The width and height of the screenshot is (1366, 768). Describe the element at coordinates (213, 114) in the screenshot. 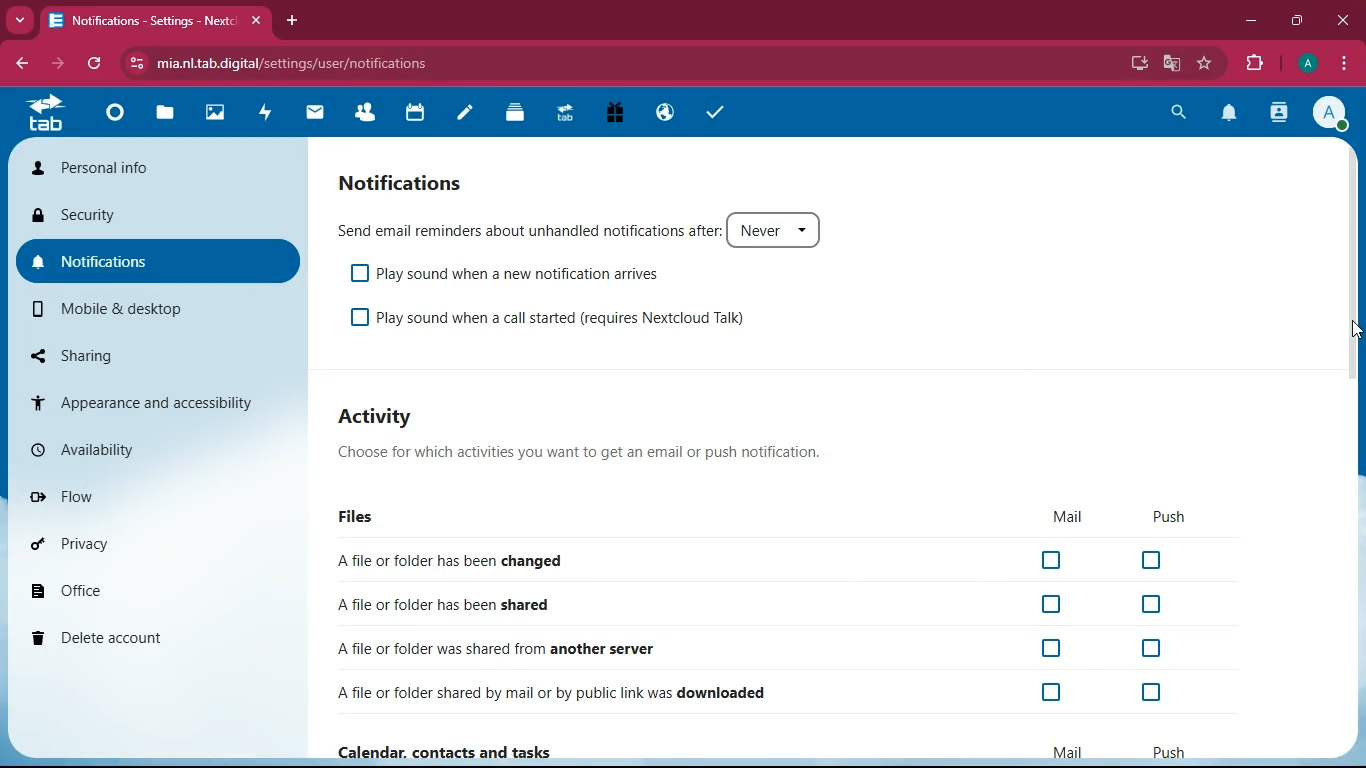

I see `images` at that location.